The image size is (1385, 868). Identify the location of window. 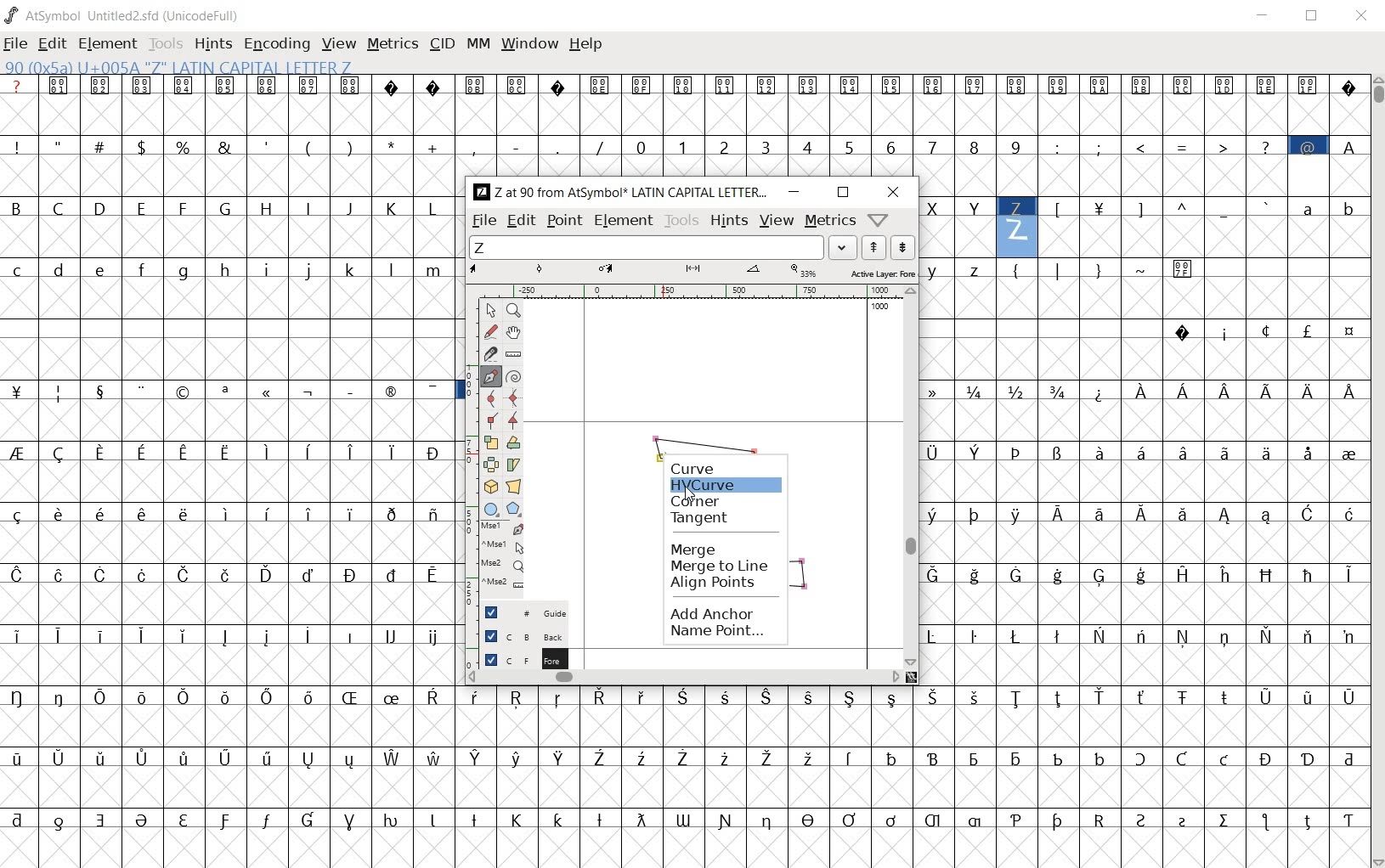
(529, 44).